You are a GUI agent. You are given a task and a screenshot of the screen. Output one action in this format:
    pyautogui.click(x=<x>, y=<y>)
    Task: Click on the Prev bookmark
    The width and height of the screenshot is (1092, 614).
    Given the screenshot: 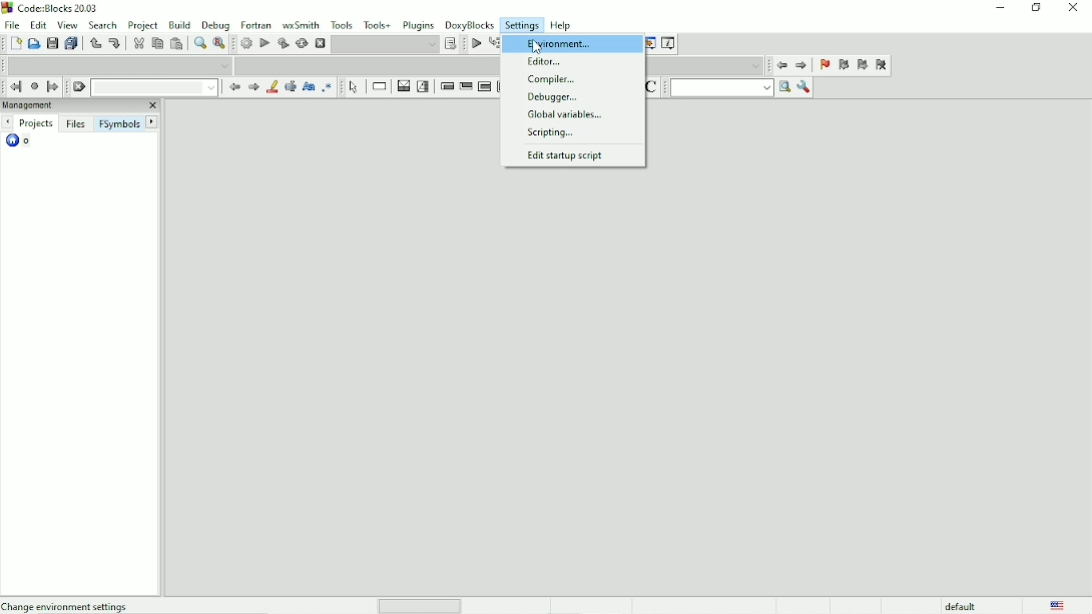 What is the action you would take?
    pyautogui.click(x=844, y=66)
    